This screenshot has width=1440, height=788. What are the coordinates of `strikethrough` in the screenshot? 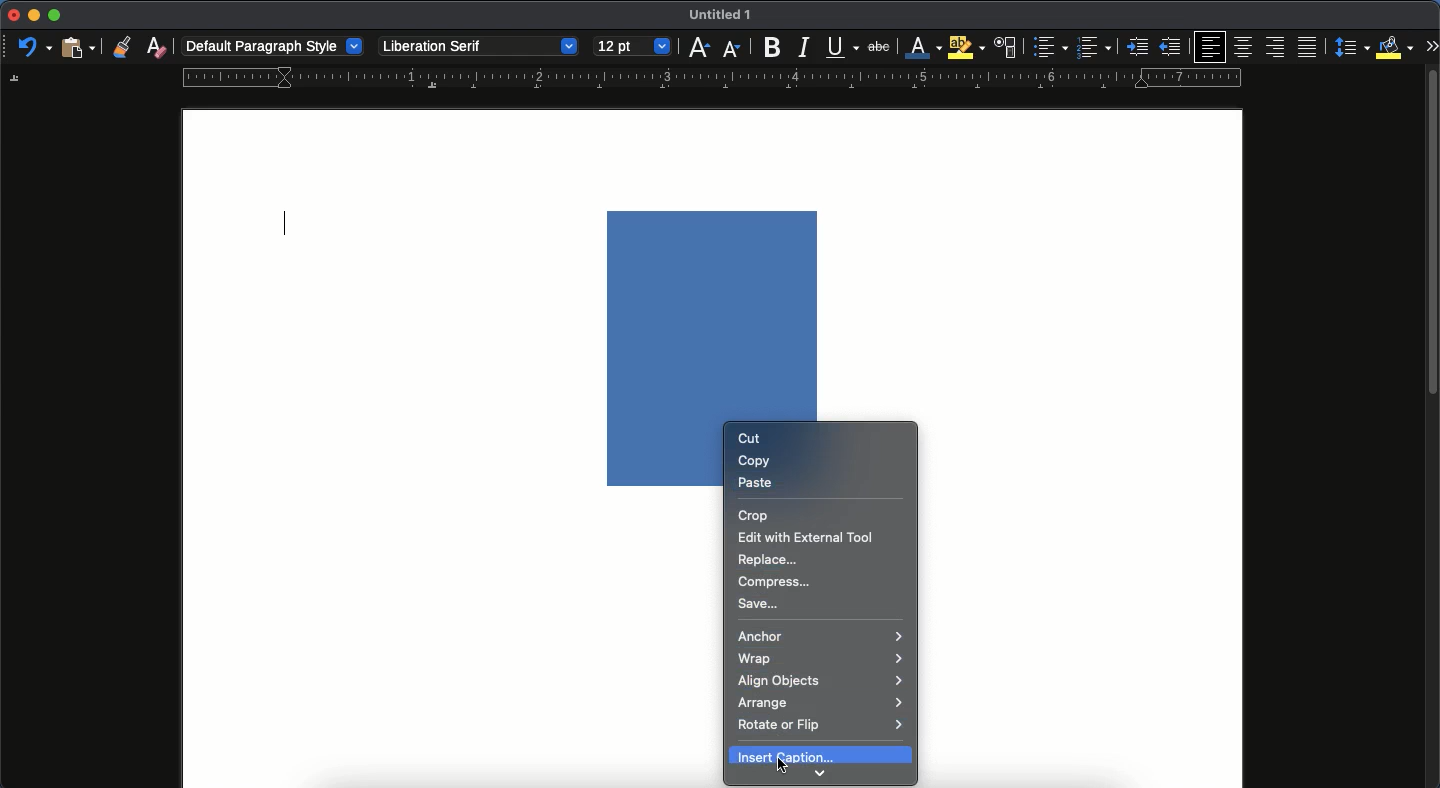 It's located at (881, 47).